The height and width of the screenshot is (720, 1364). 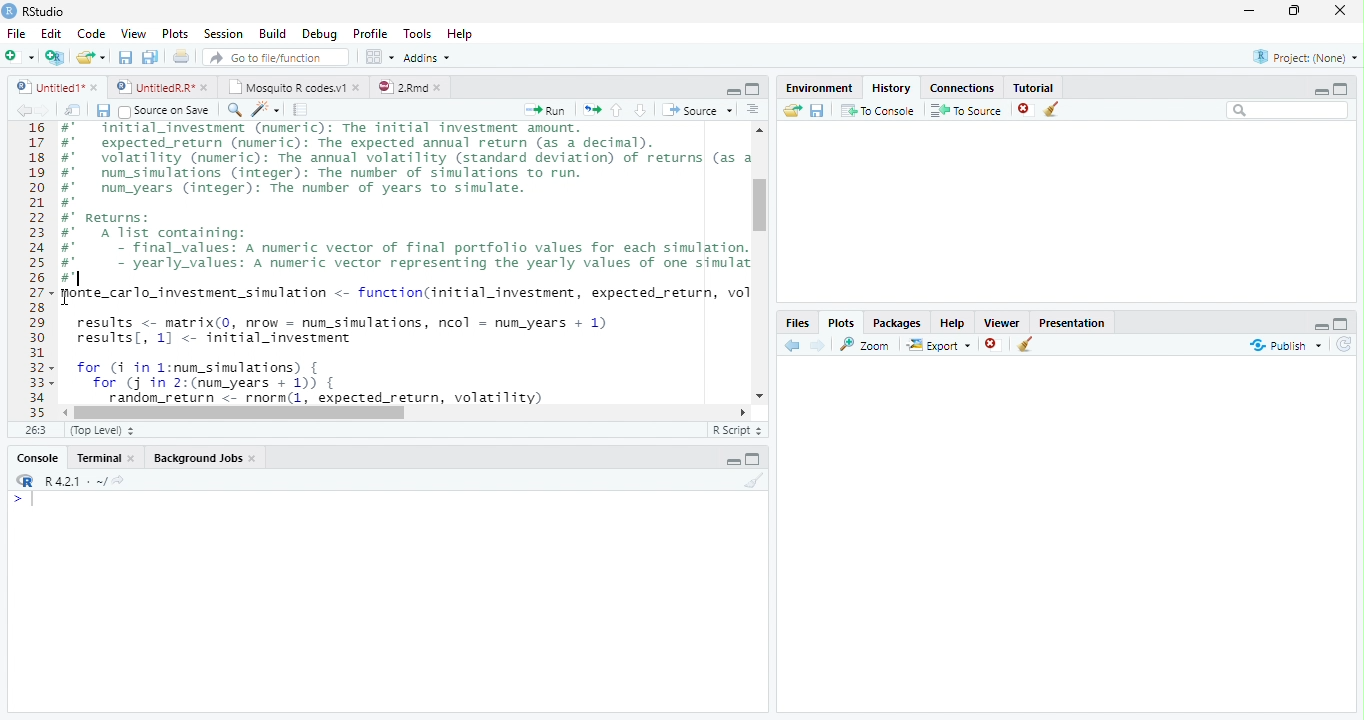 What do you see at coordinates (222, 33) in the screenshot?
I see `Session` at bounding box center [222, 33].